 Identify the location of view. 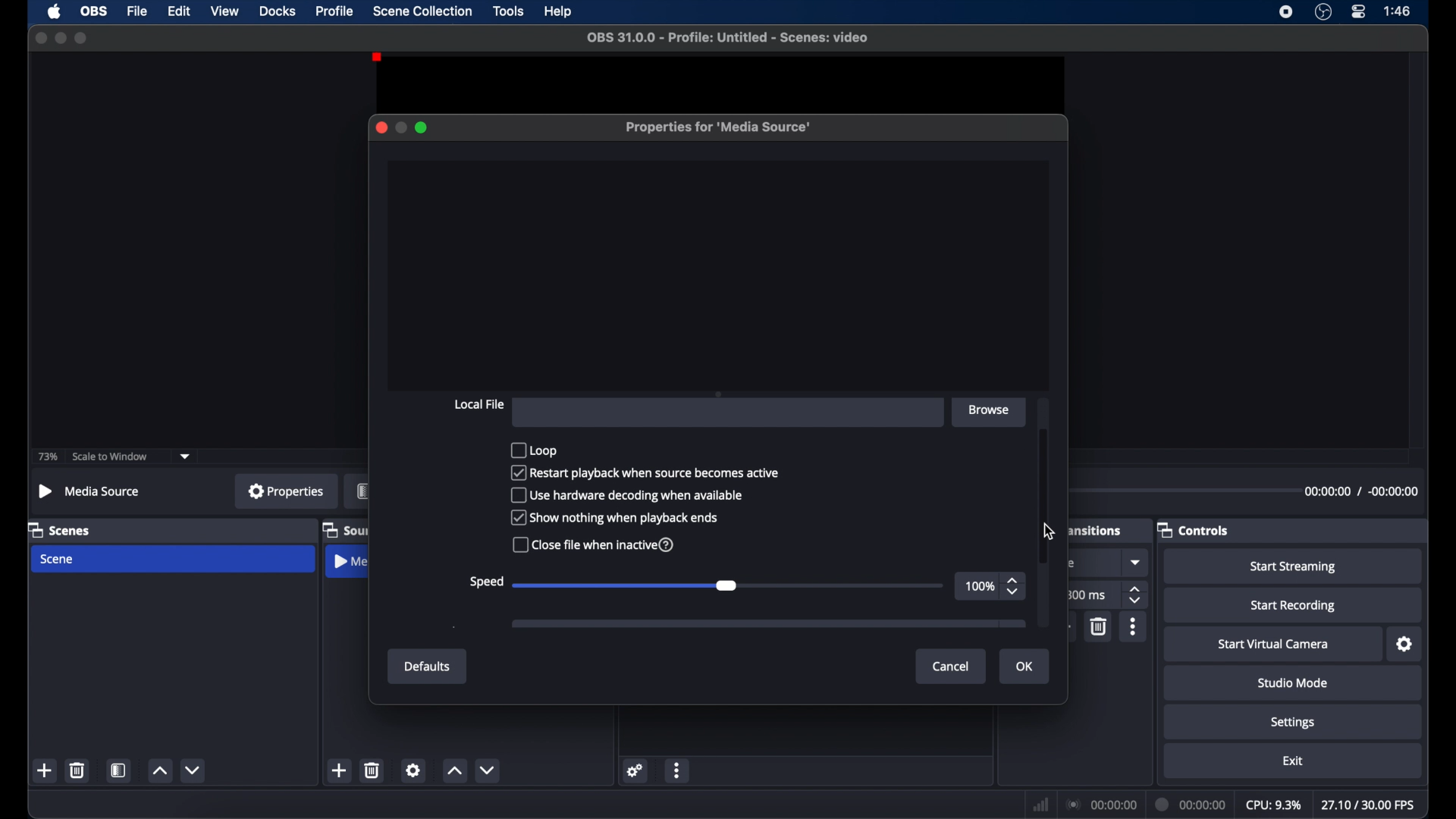
(224, 10).